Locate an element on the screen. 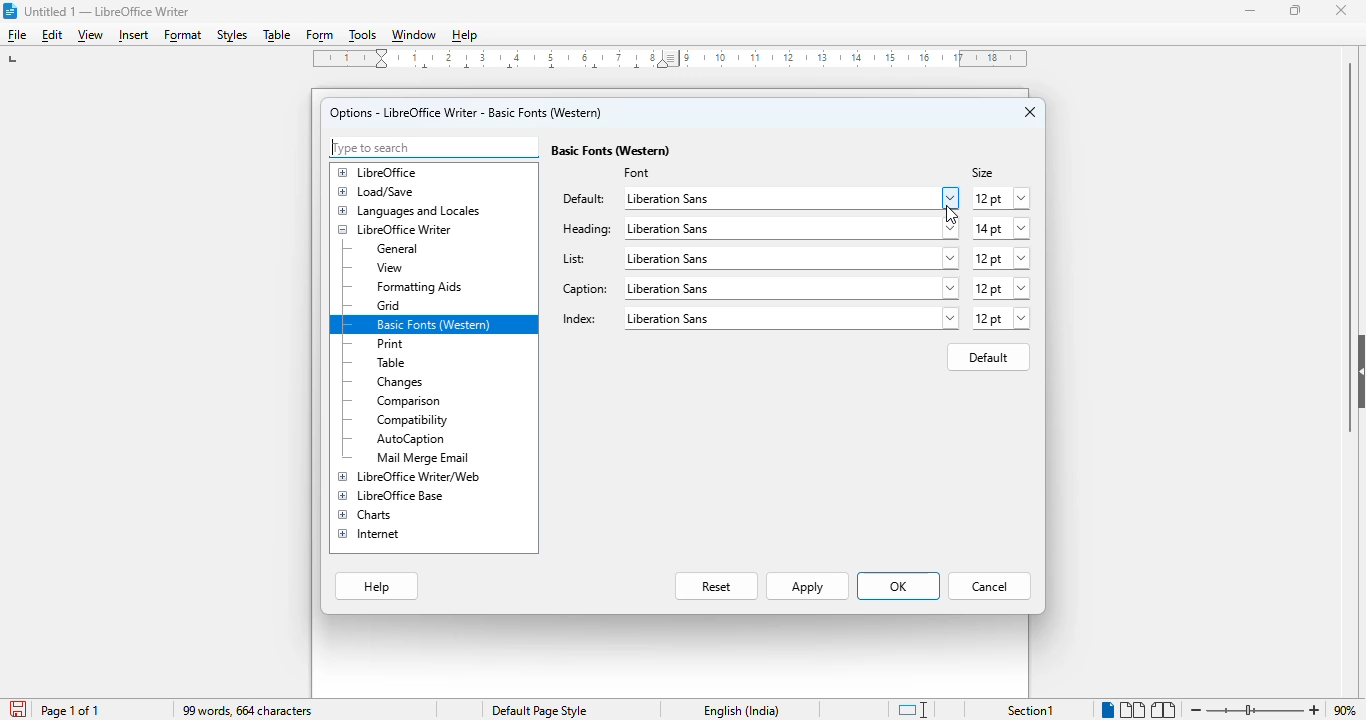  mail merge email is located at coordinates (424, 458).